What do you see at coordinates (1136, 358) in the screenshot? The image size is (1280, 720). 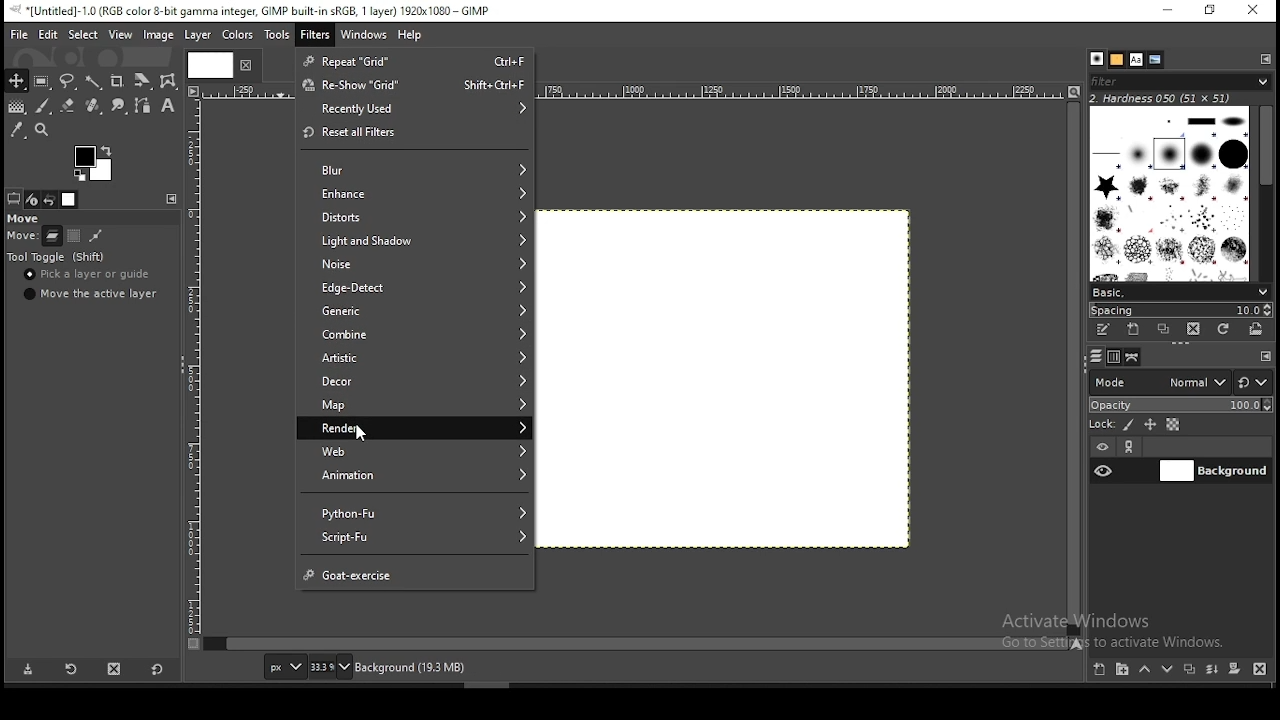 I see `paths` at bounding box center [1136, 358].